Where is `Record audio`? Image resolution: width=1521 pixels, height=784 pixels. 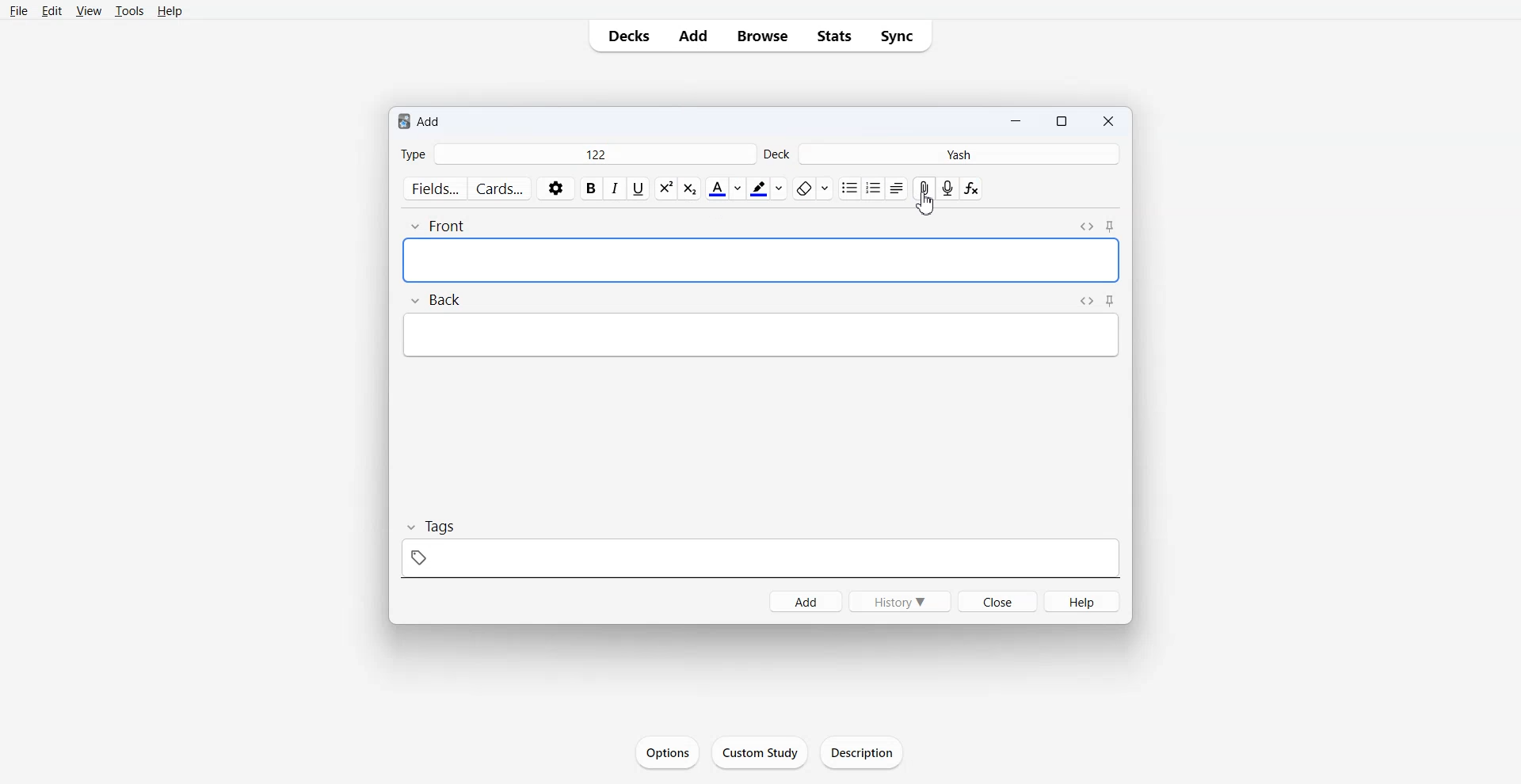
Record audio is located at coordinates (947, 188).